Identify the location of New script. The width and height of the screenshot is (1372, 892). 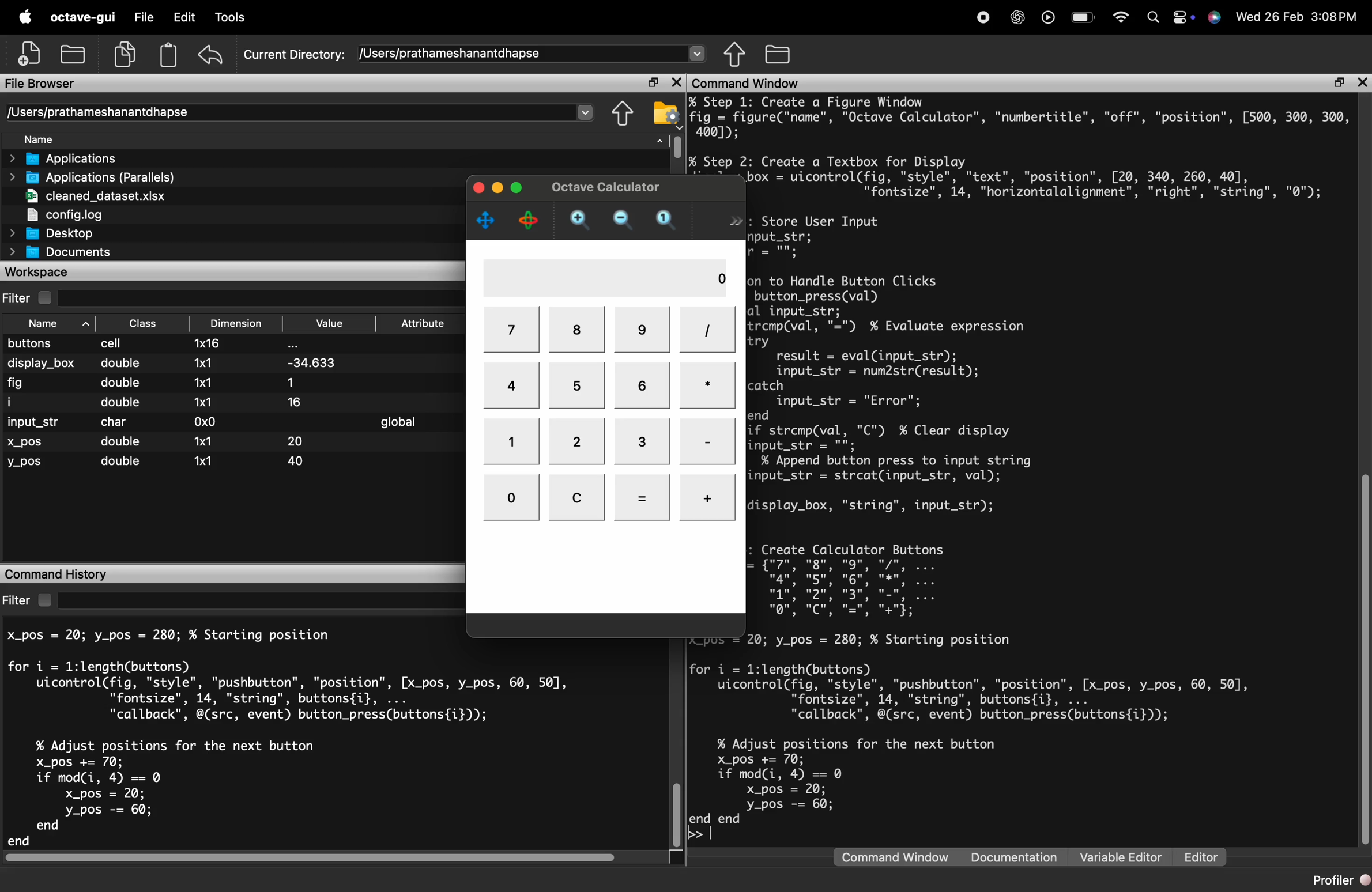
(27, 54).